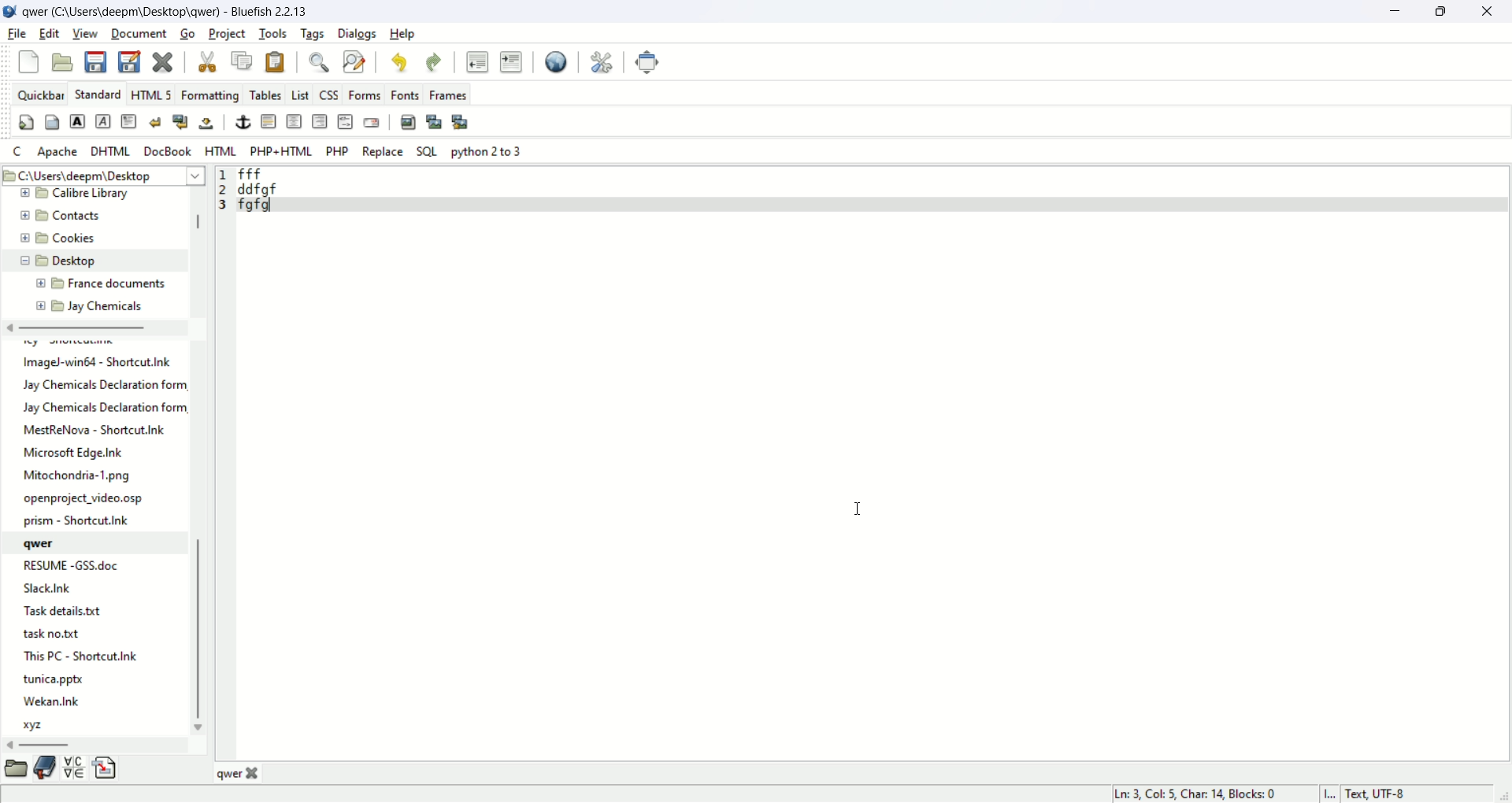 Image resolution: width=1512 pixels, height=803 pixels. Describe the element at coordinates (365, 94) in the screenshot. I see `forms` at that location.